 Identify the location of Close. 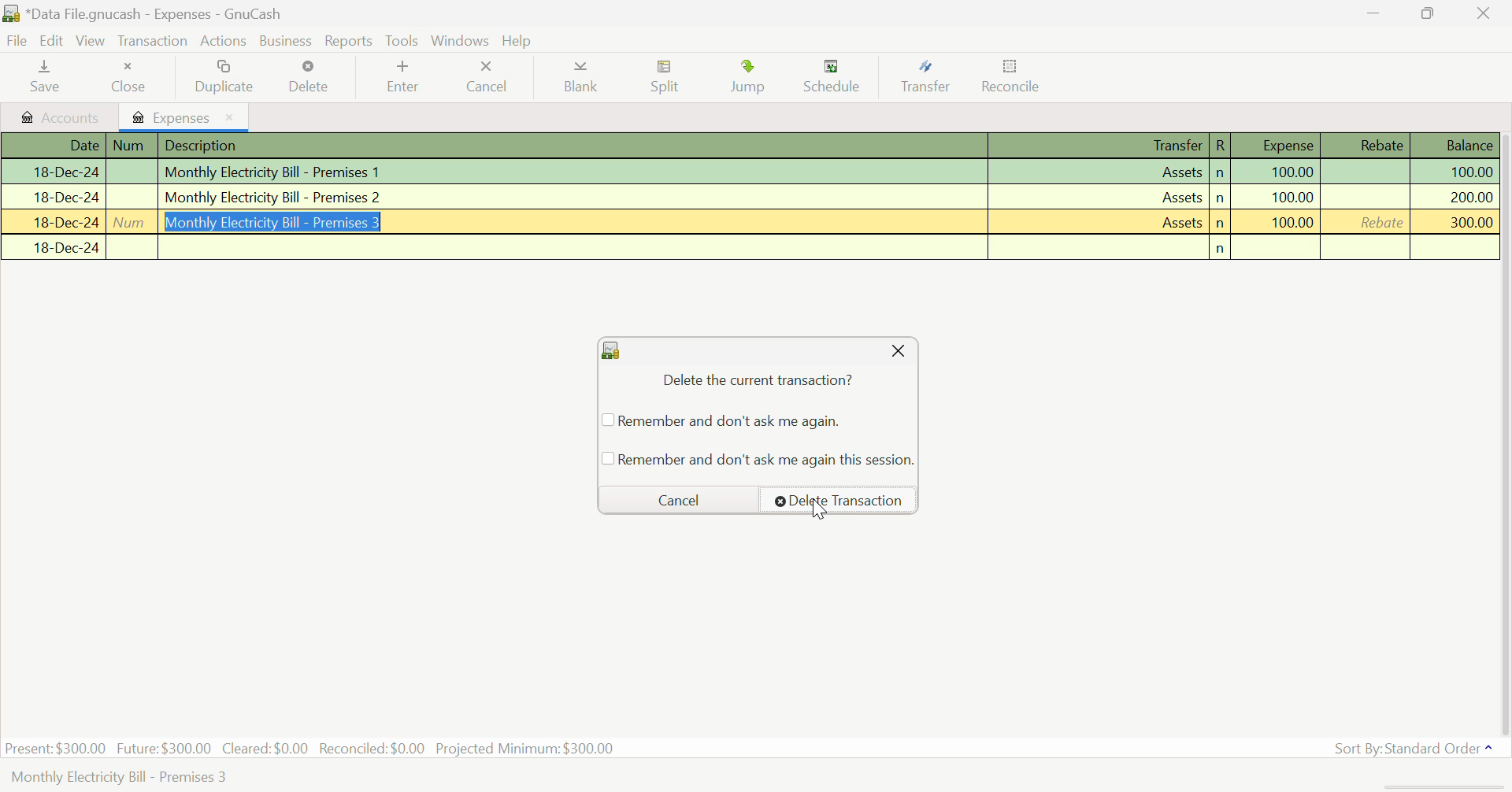
(897, 351).